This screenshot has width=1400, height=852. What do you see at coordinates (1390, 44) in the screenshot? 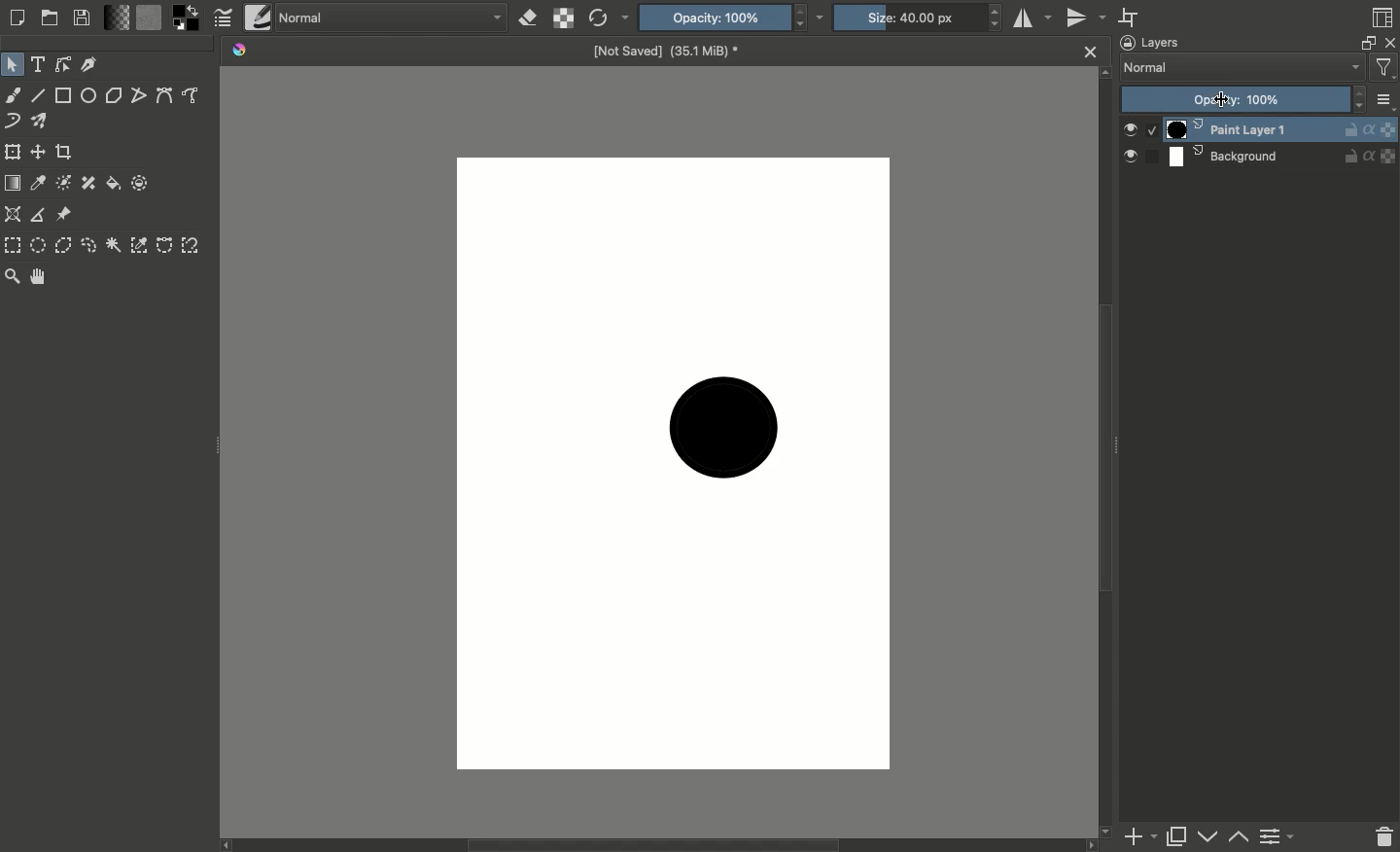
I see `Close` at bounding box center [1390, 44].